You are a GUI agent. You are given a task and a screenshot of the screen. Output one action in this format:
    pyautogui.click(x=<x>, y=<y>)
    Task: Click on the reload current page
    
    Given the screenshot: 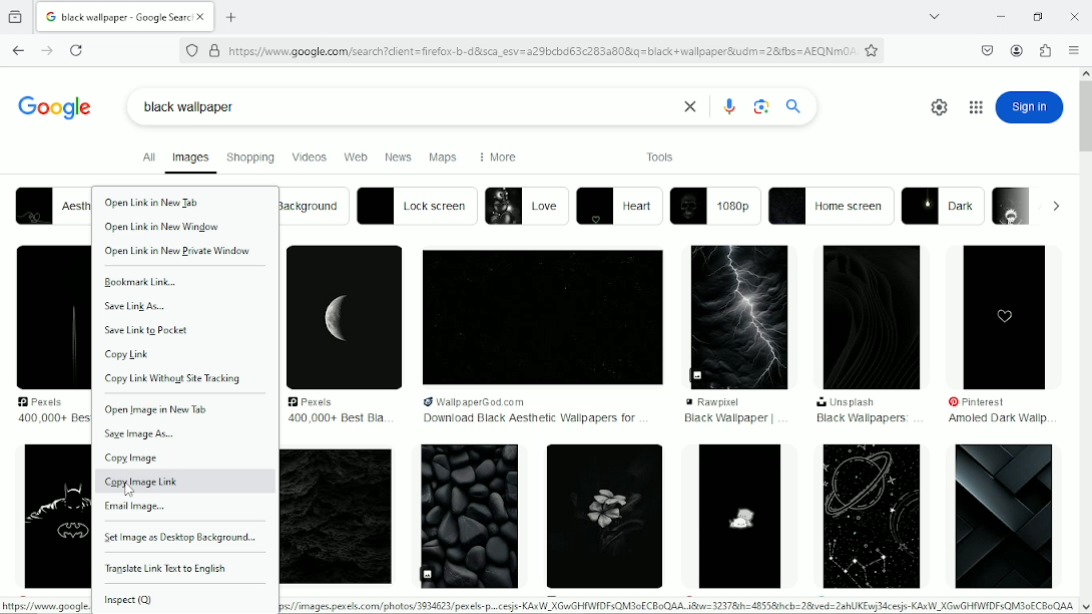 What is the action you would take?
    pyautogui.click(x=76, y=51)
    